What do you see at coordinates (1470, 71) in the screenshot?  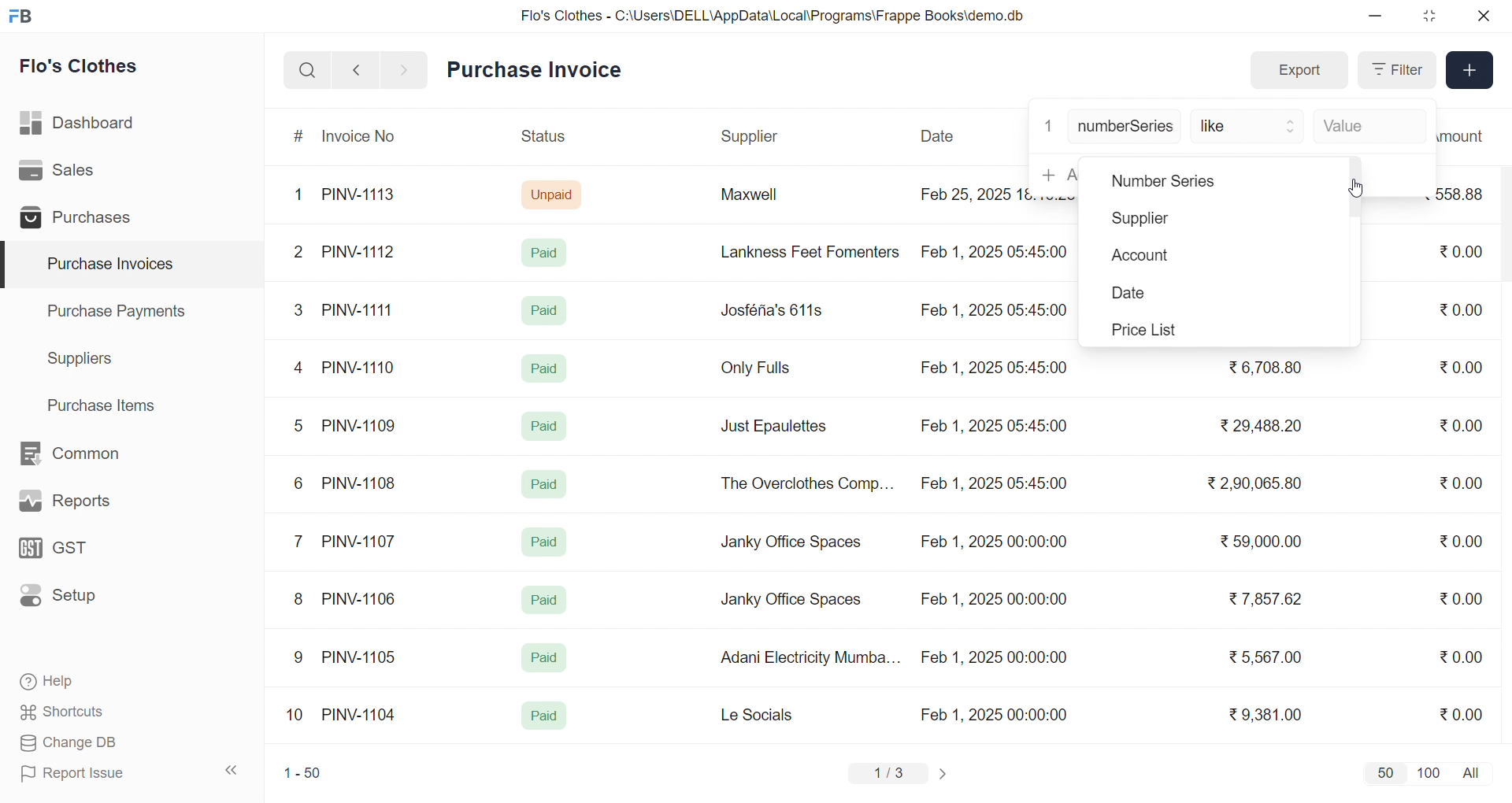 I see `Add` at bounding box center [1470, 71].